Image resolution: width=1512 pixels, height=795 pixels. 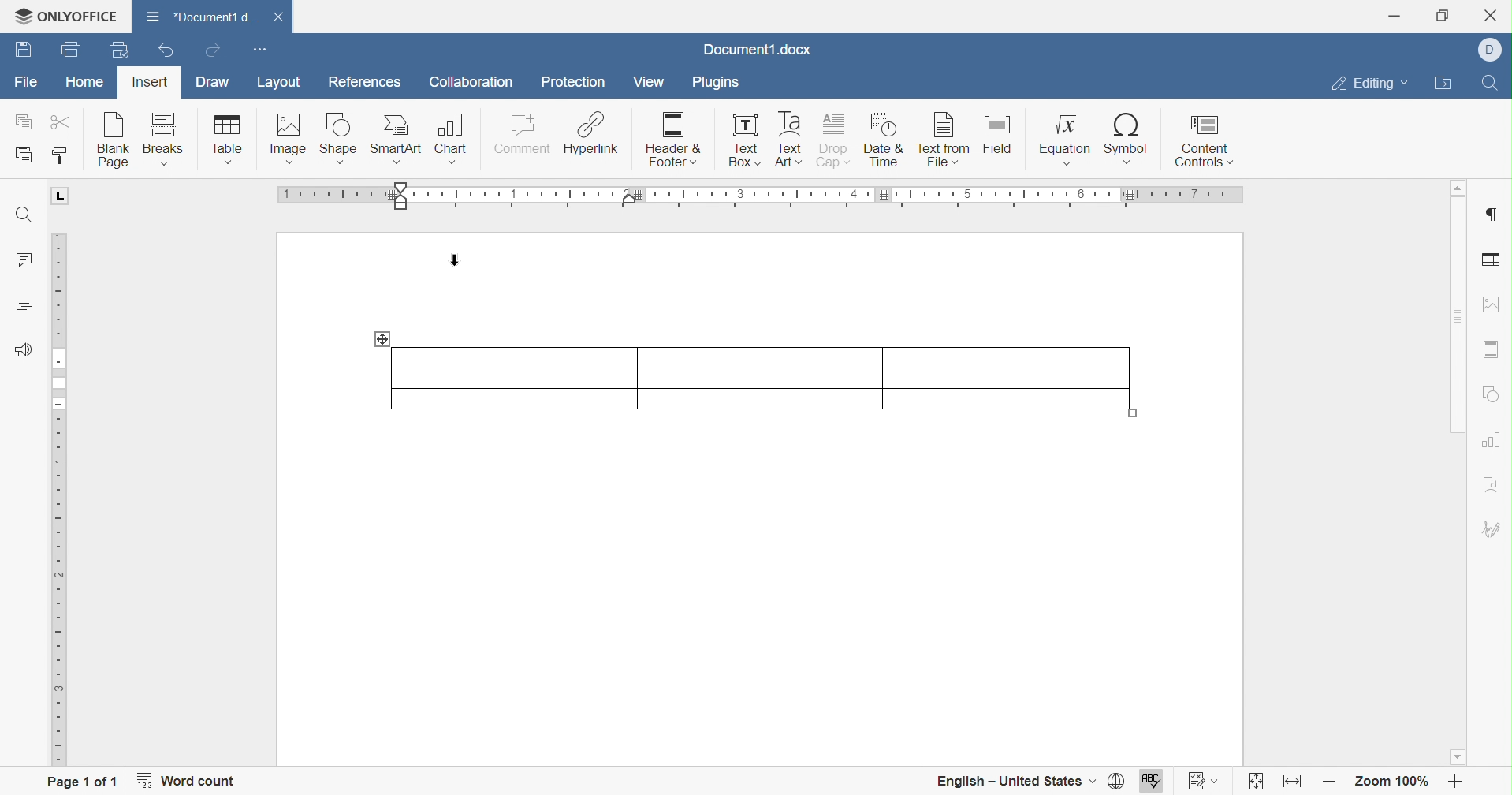 I want to click on Feedback & Support, so click(x=22, y=349).